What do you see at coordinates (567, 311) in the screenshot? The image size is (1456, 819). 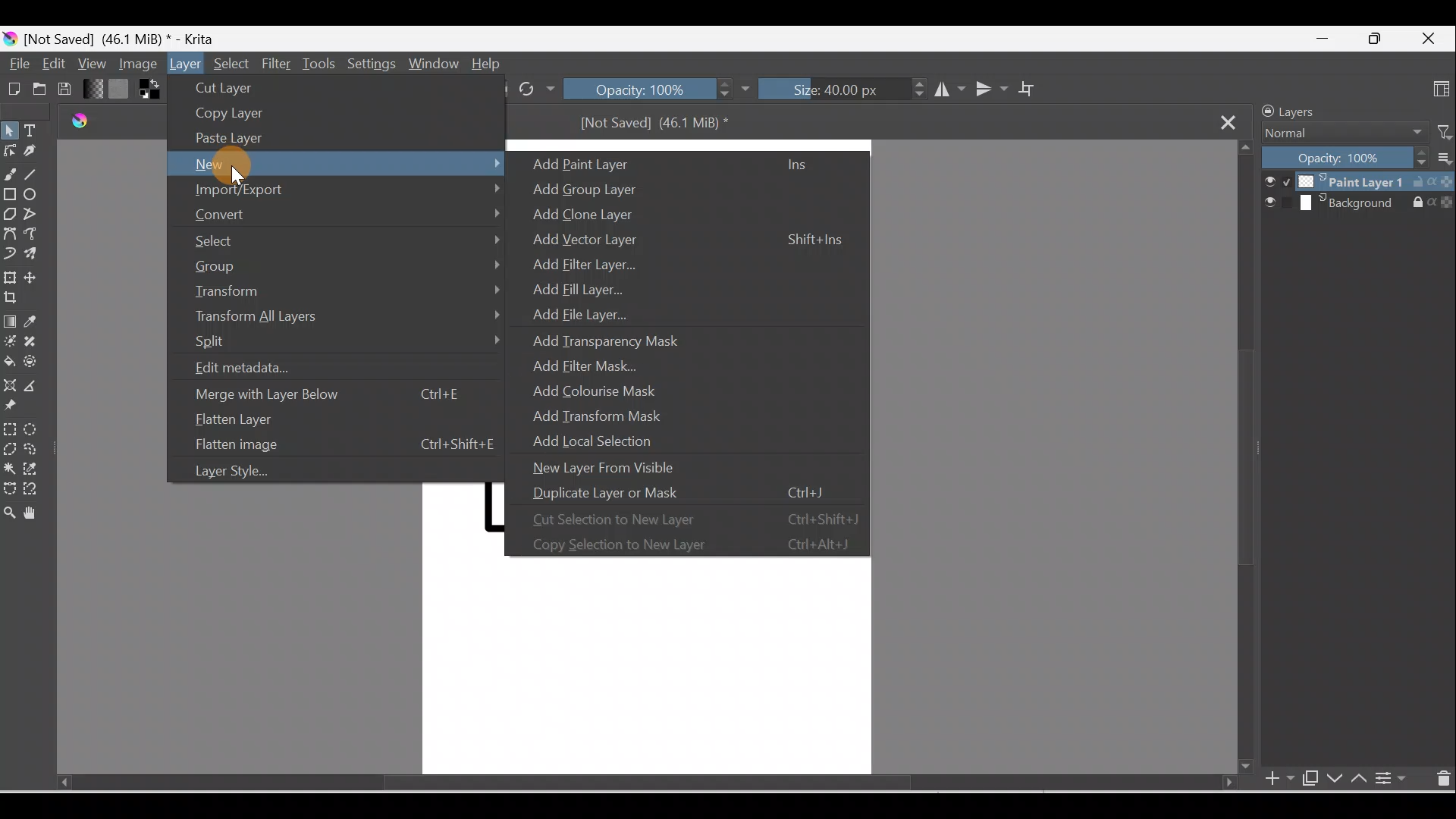 I see `Add file layer` at bounding box center [567, 311].